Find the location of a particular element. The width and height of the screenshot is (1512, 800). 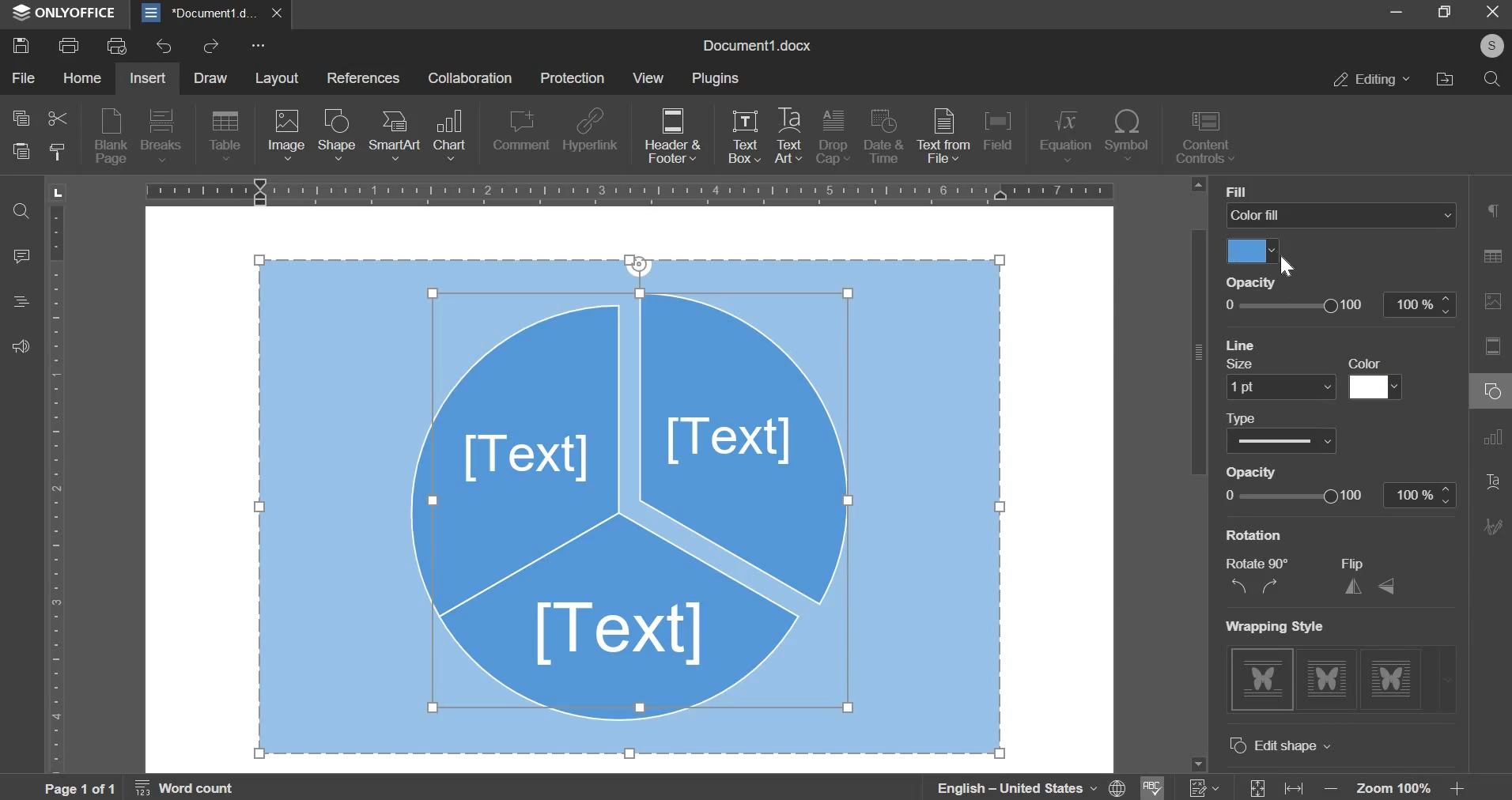

Right Side Bar is located at coordinates (1491, 376).